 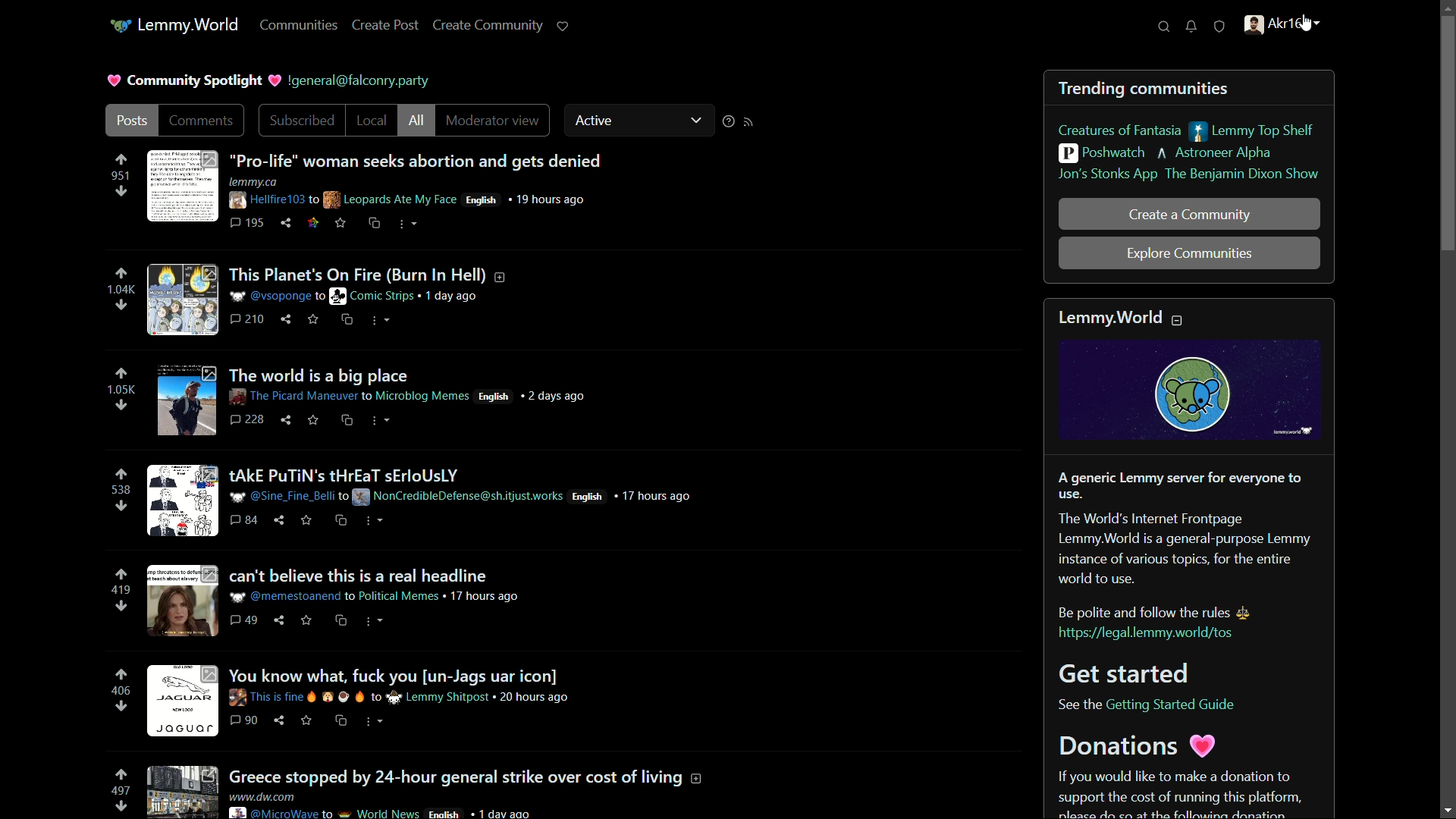 I want to click on about lemmy.world, so click(x=1188, y=558).